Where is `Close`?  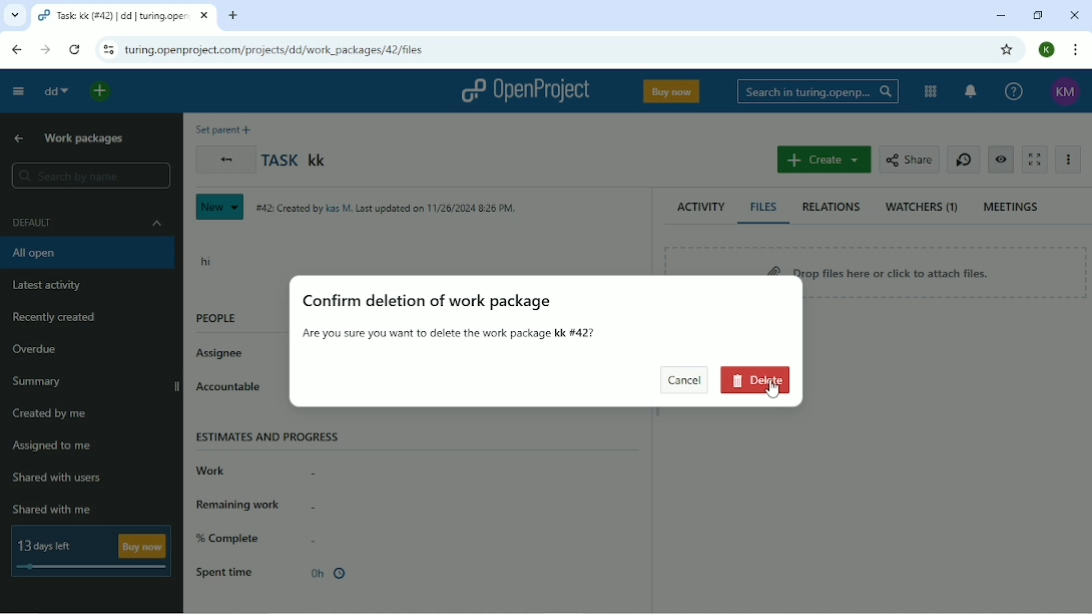
Close is located at coordinates (1073, 14).